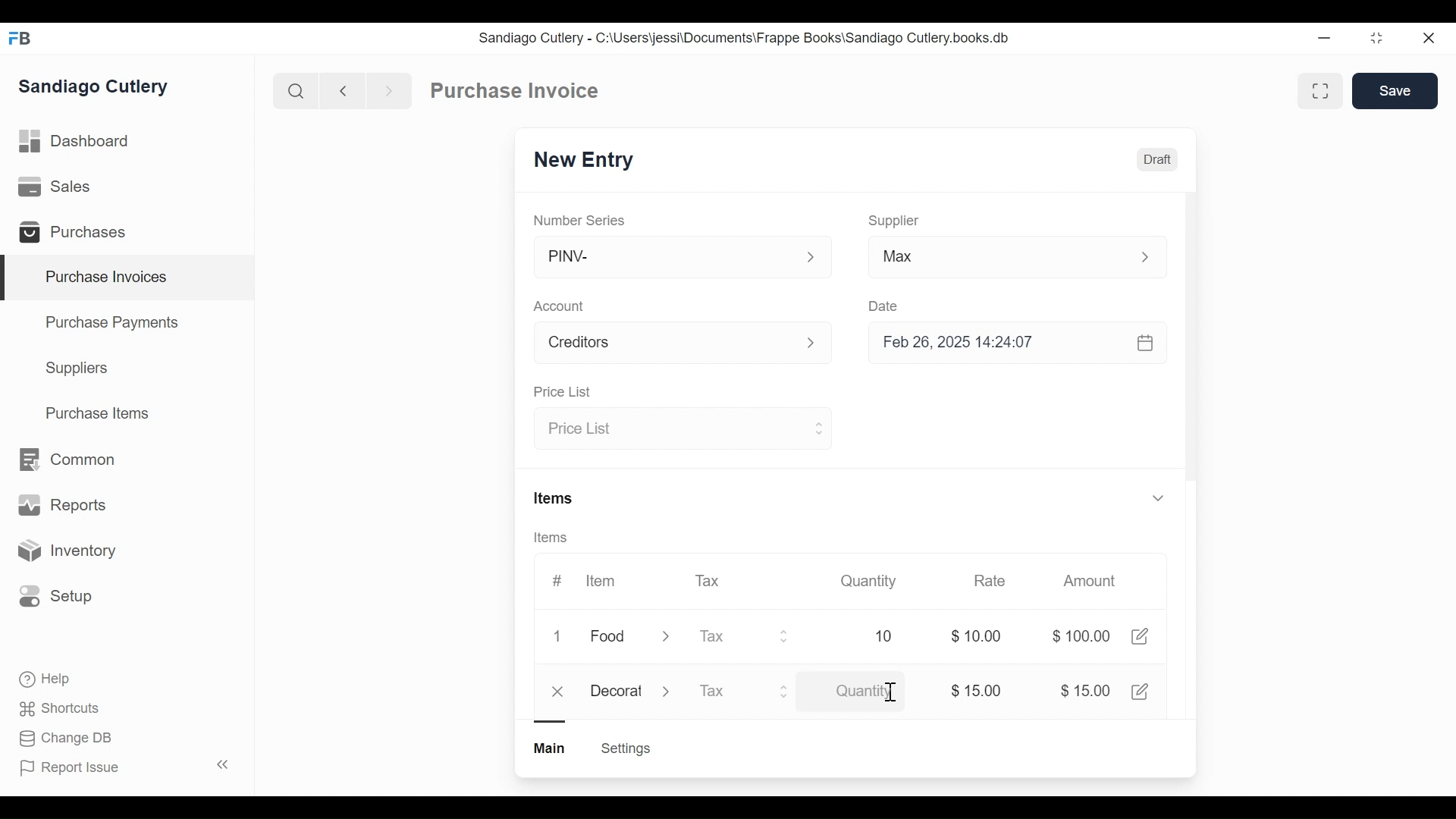 The height and width of the screenshot is (819, 1456). What do you see at coordinates (555, 500) in the screenshot?
I see `Items` at bounding box center [555, 500].